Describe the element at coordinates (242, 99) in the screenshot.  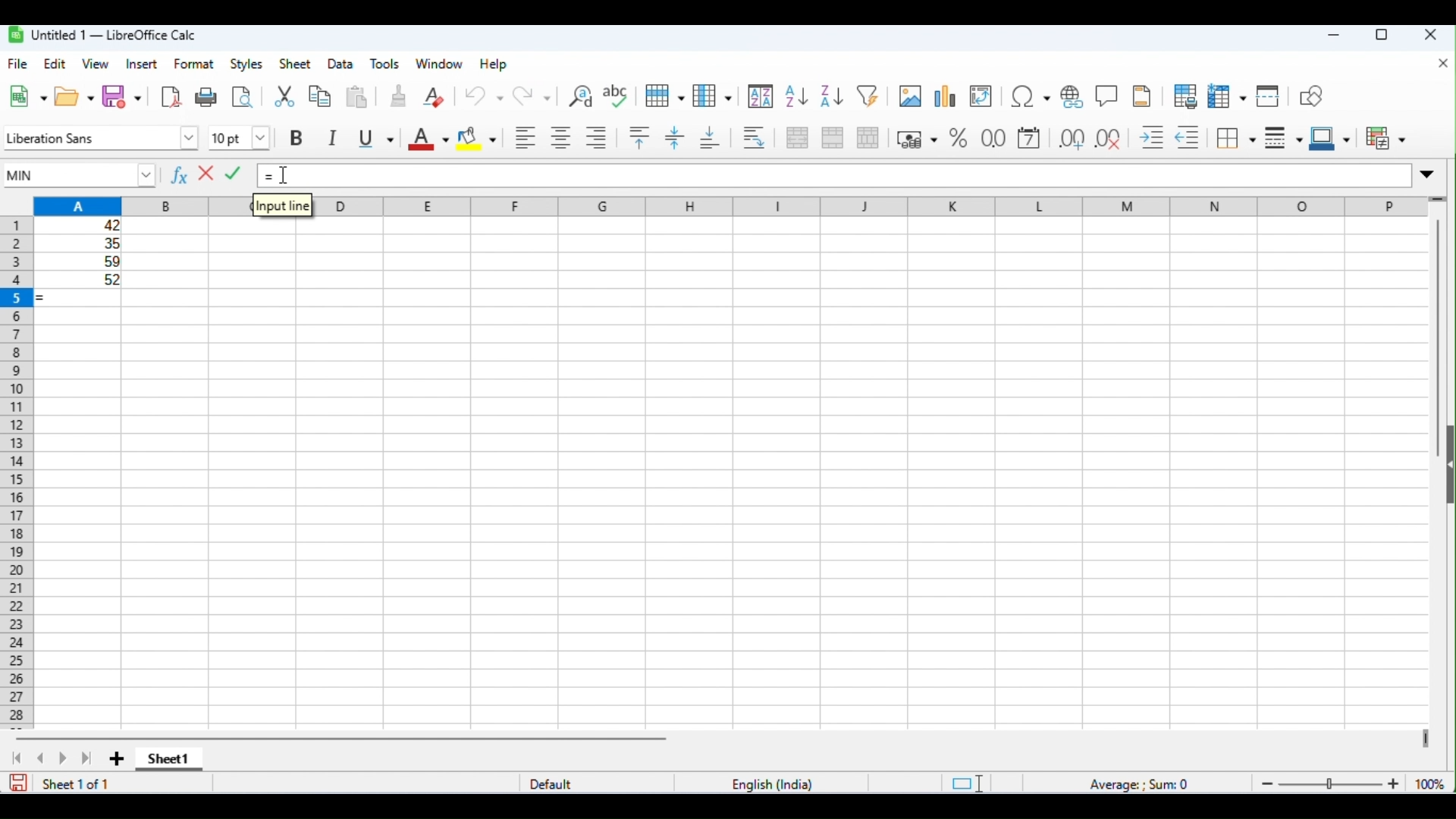
I see `toggle print preview` at that location.